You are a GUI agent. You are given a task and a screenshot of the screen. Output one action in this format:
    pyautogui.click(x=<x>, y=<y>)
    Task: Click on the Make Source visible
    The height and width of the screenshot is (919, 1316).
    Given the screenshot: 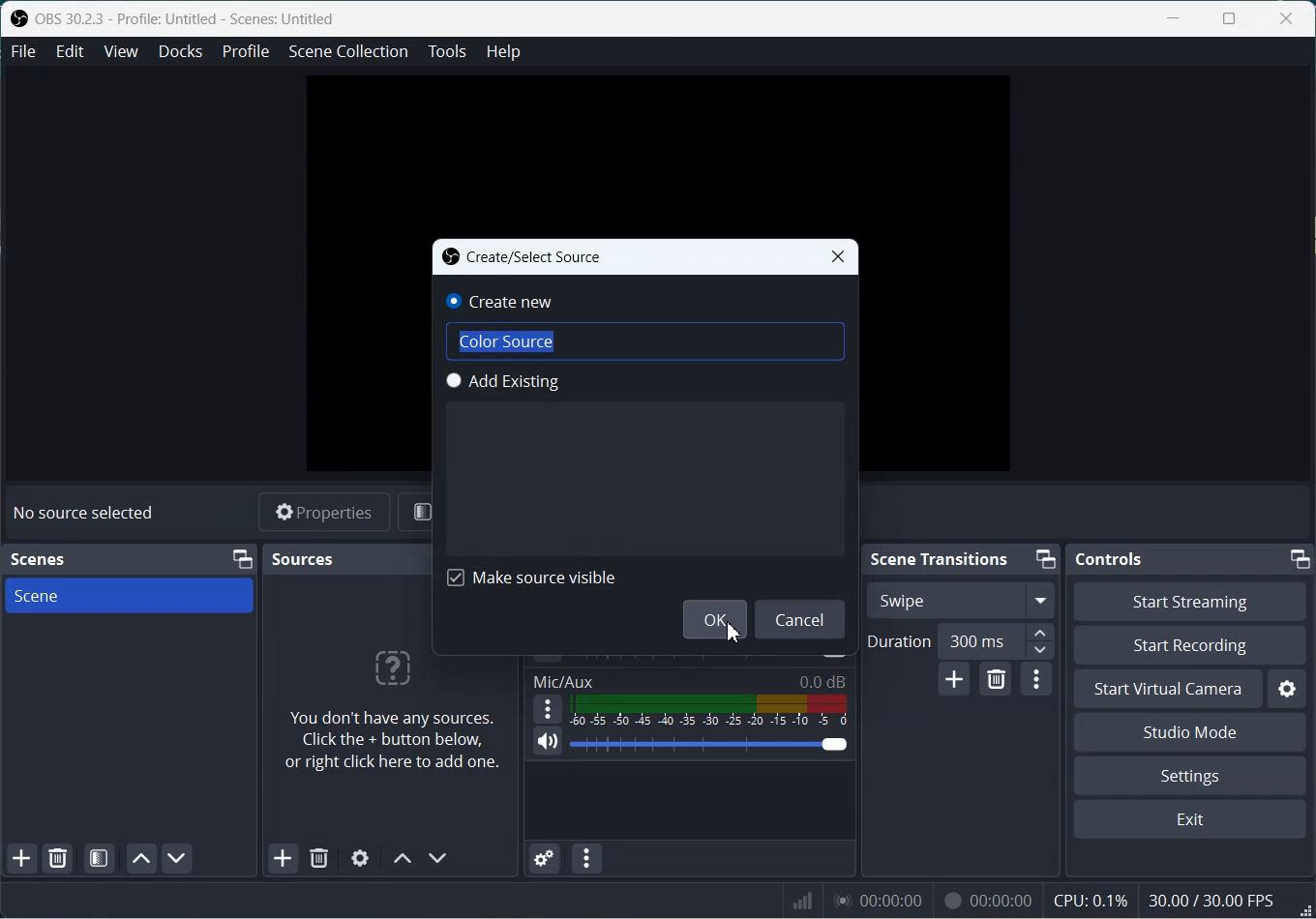 What is the action you would take?
    pyautogui.click(x=531, y=578)
    